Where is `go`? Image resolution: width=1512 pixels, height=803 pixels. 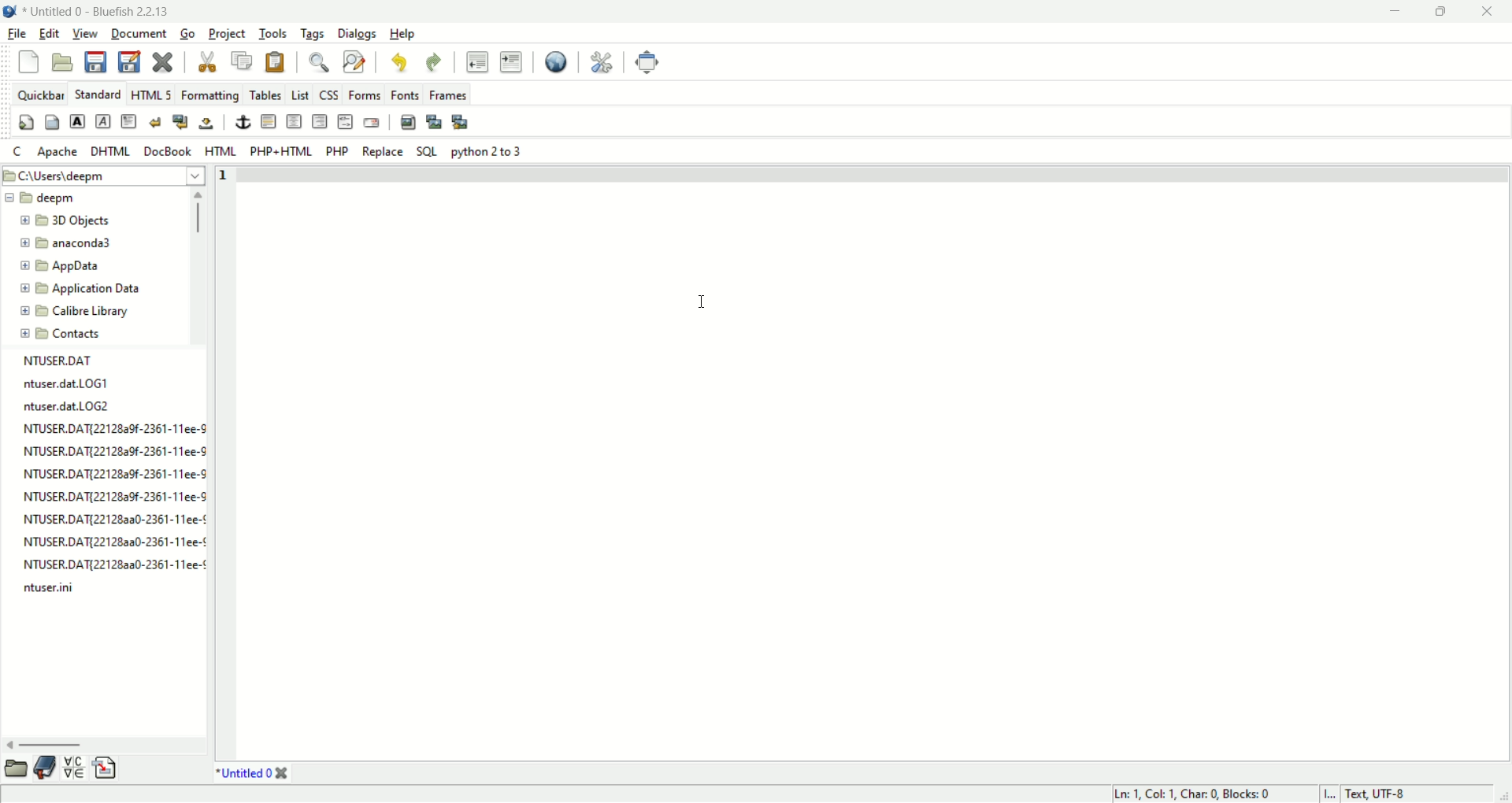 go is located at coordinates (187, 34).